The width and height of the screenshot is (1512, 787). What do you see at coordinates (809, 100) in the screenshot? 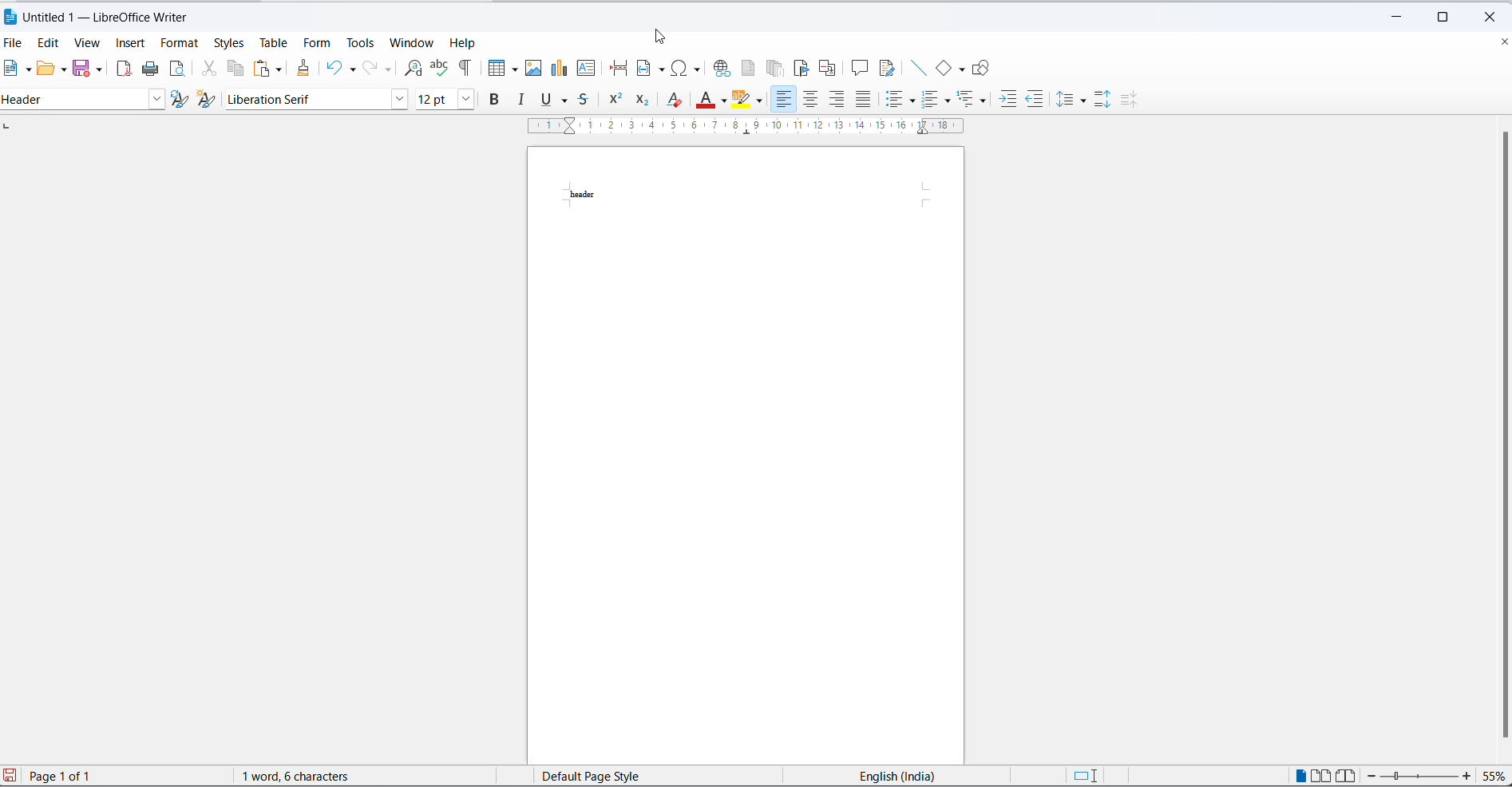
I see `text align center` at bounding box center [809, 100].